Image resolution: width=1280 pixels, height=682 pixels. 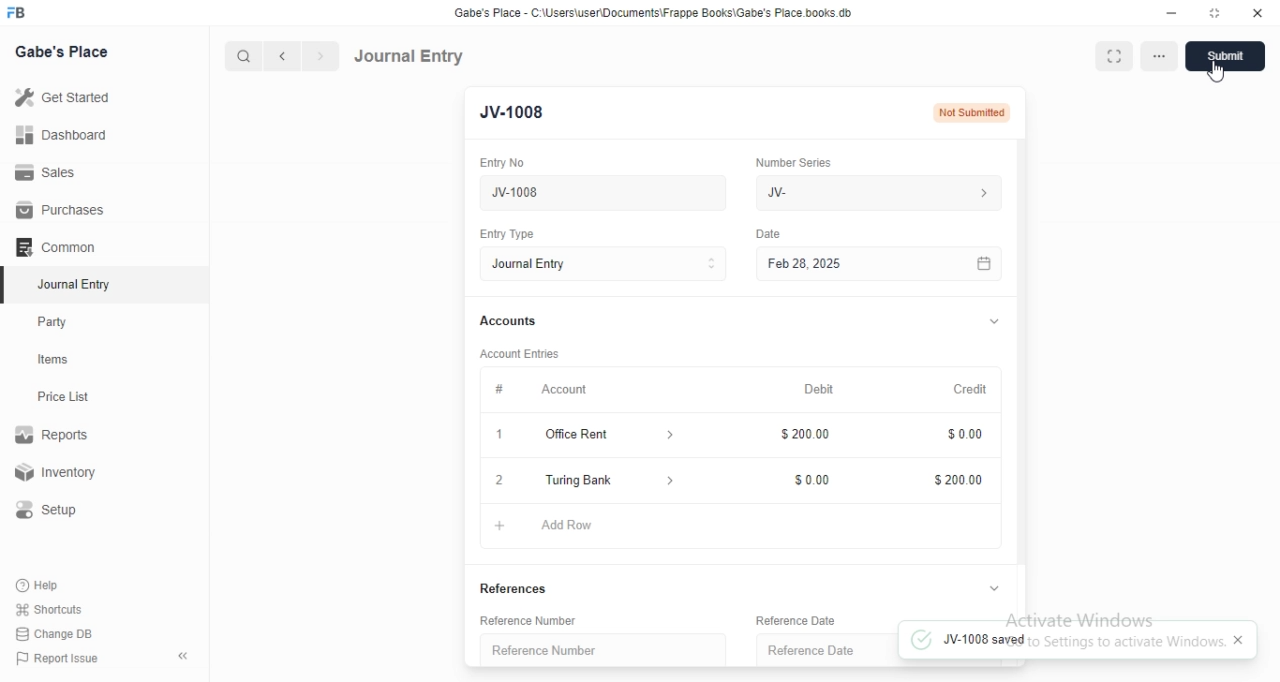 I want to click on Journal Entry, so click(x=409, y=56).